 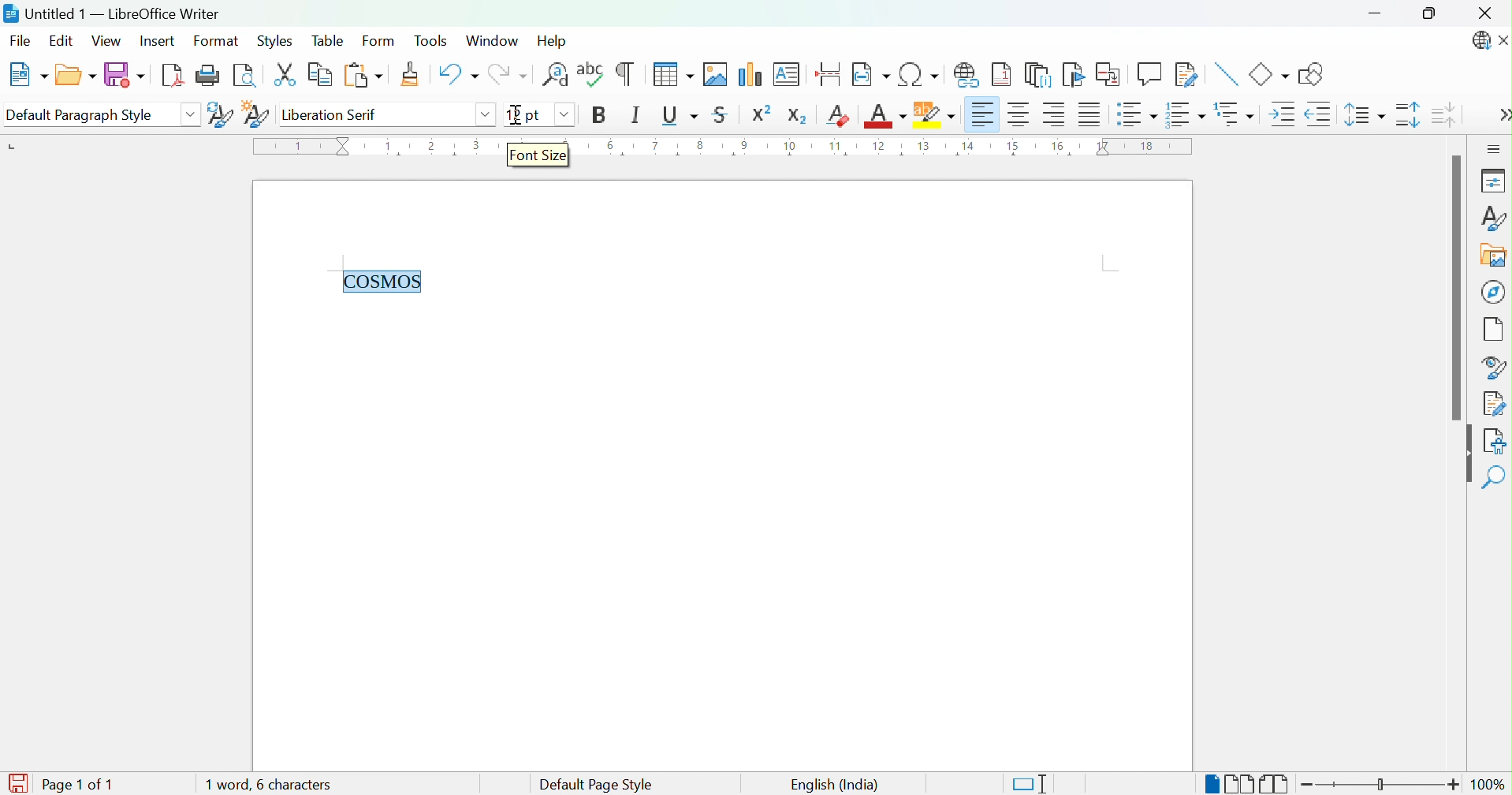 I want to click on English (India), so click(x=833, y=784).